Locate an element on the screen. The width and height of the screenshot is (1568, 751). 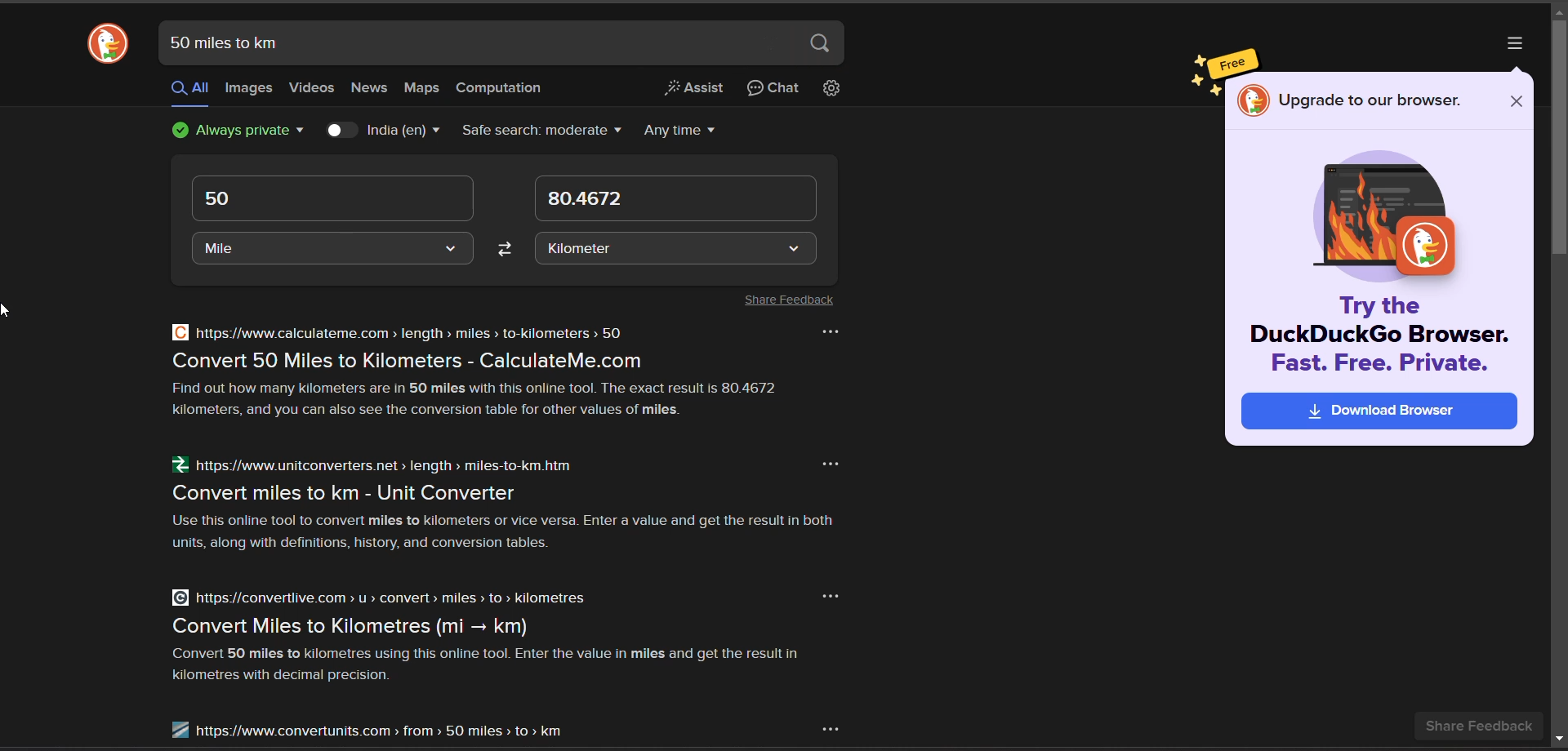
more option is located at coordinates (830, 329).